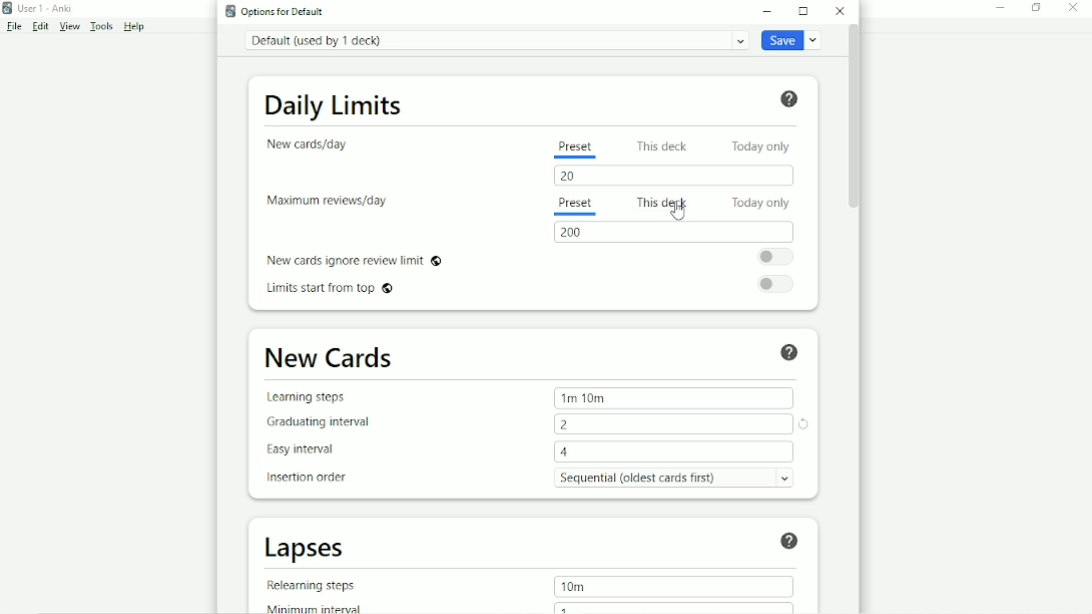 Image resolution: width=1092 pixels, height=614 pixels. What do you see at coordinates (103, 27) in the screenshot?
I see `Tools` at bounding box center [103, 27].